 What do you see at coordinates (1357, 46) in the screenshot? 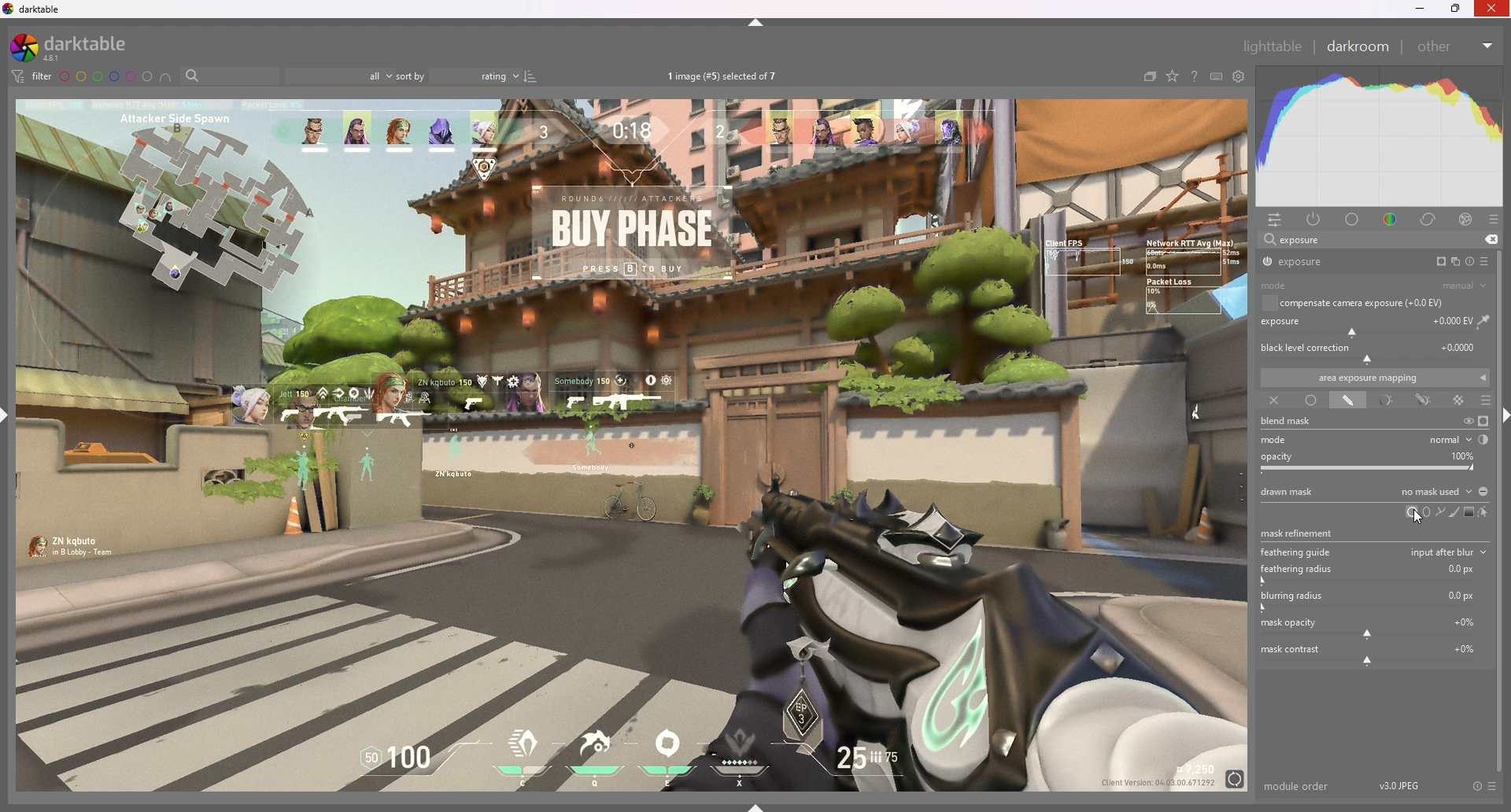
I see `darkroom` at bounding box center [1357, 46].